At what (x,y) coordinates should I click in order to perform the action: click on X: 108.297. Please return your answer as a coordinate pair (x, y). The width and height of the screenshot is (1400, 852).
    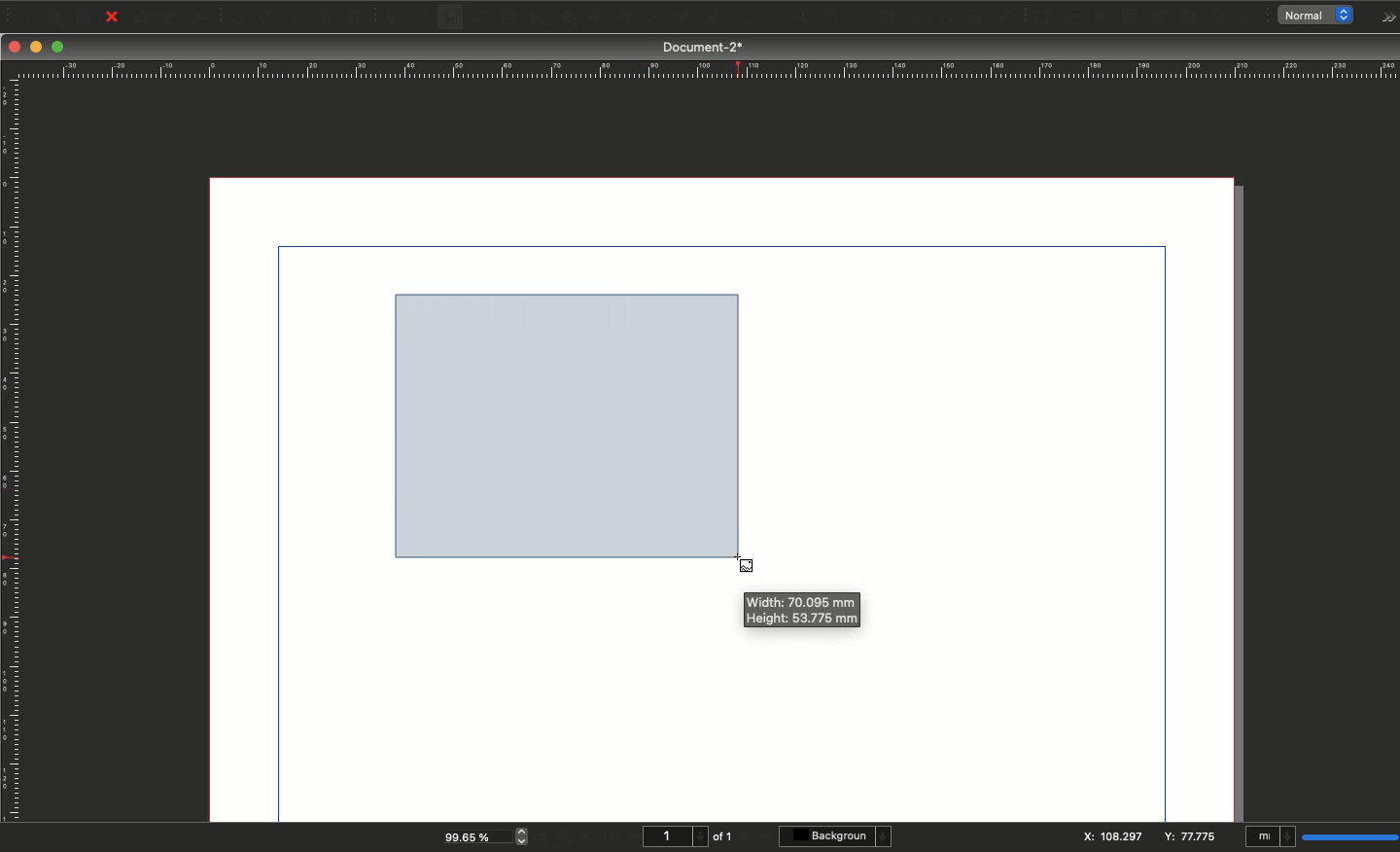
    Looking at the image, I should click on (1113, 836).